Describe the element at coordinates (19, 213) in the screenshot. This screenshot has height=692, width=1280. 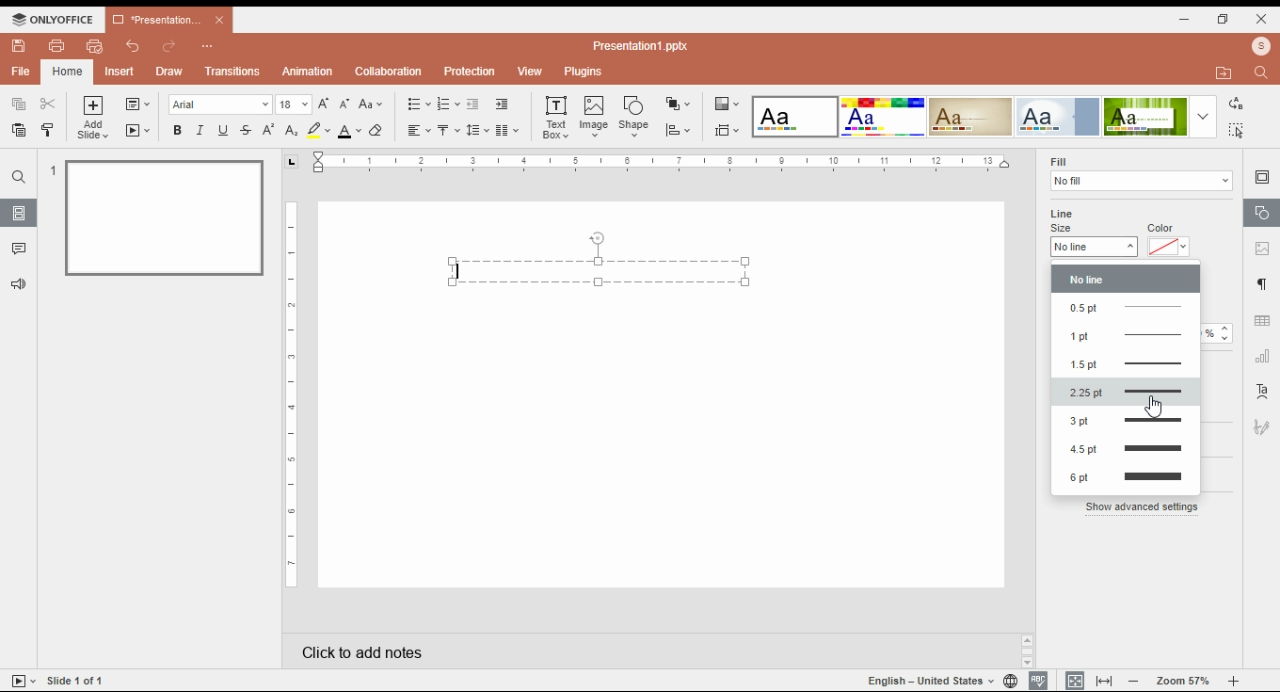
I see `slide` at that location.